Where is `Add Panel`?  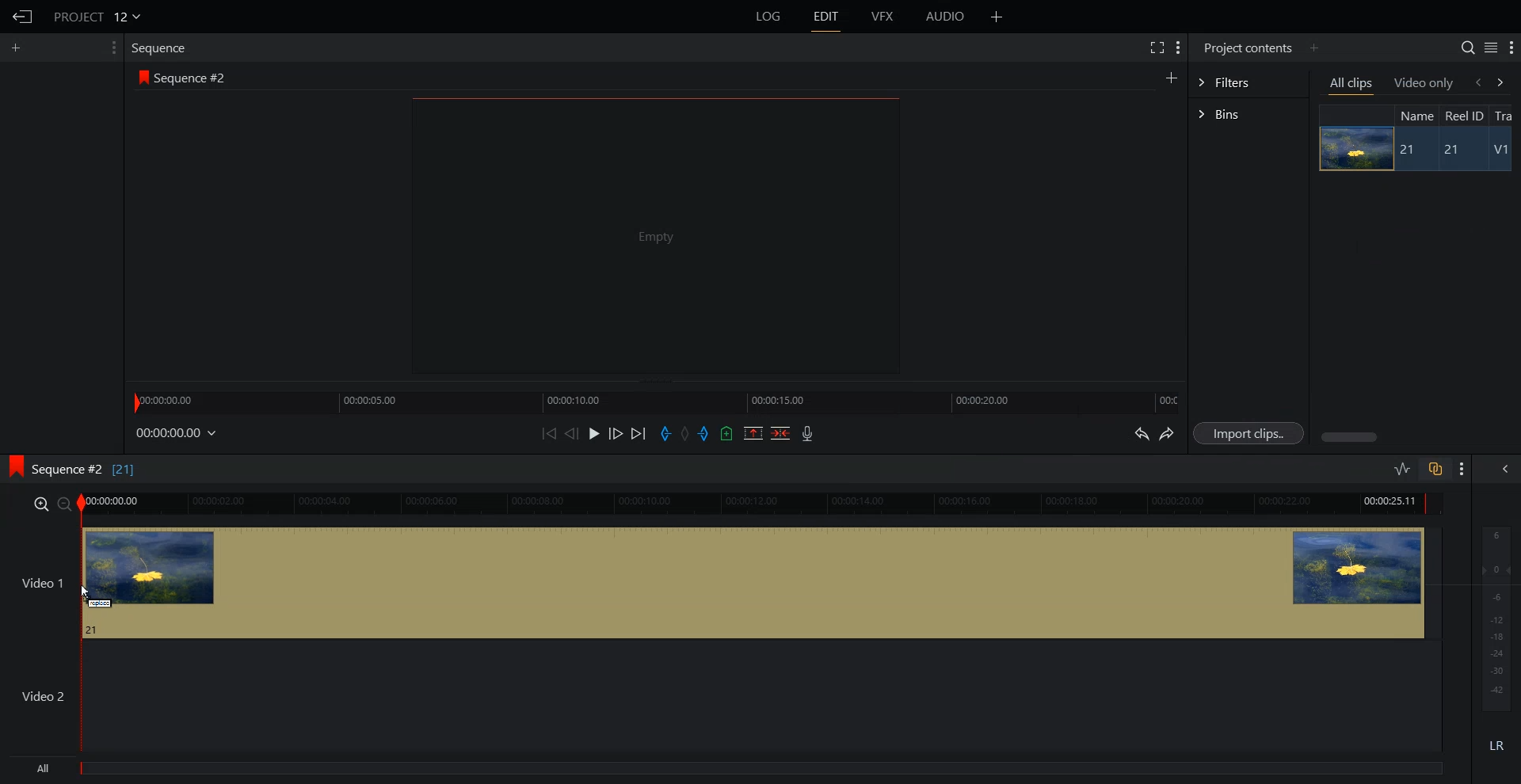
Add Panel is located at coordinates (1313, 48).